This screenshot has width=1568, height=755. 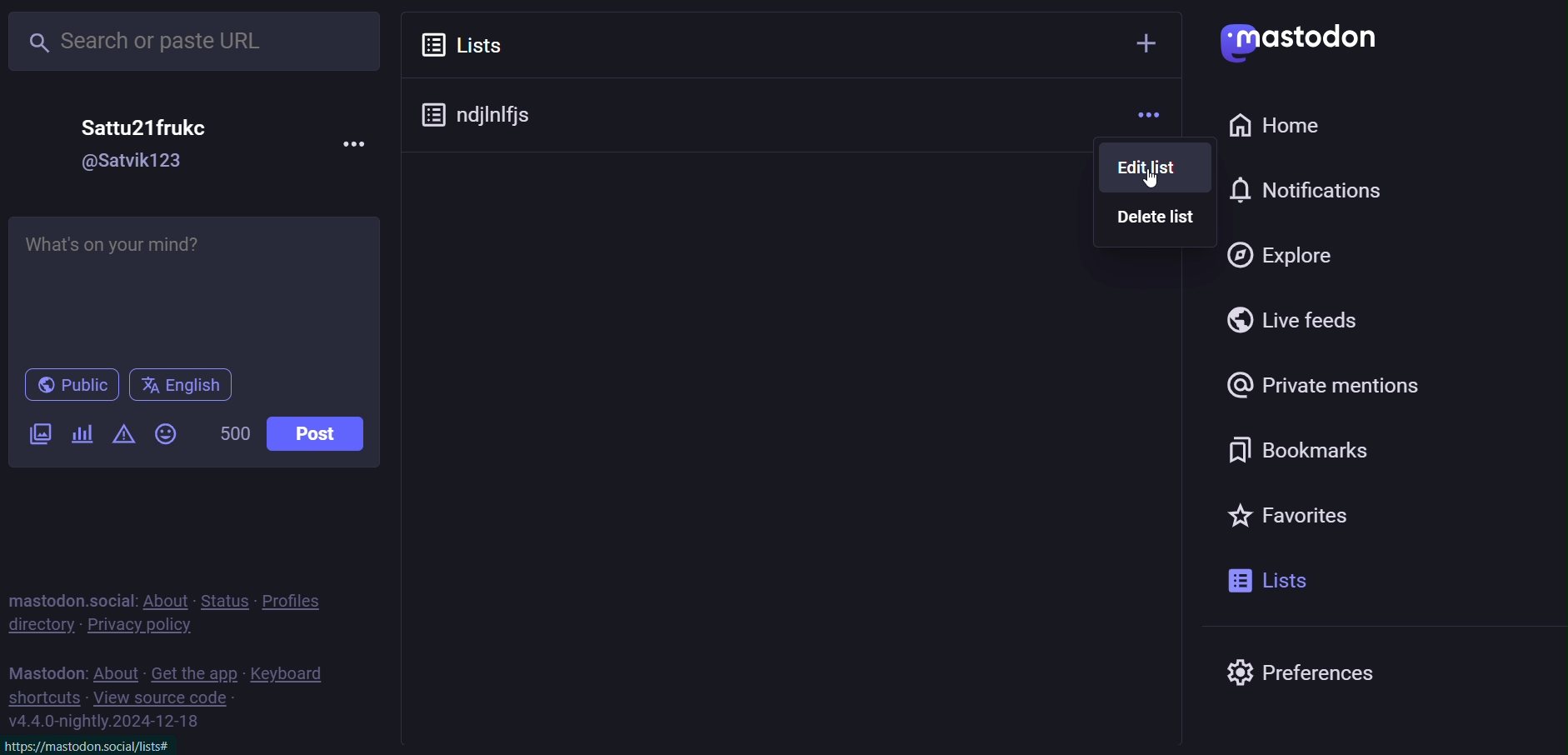 I want to click on version, so click(x=107, y=722).